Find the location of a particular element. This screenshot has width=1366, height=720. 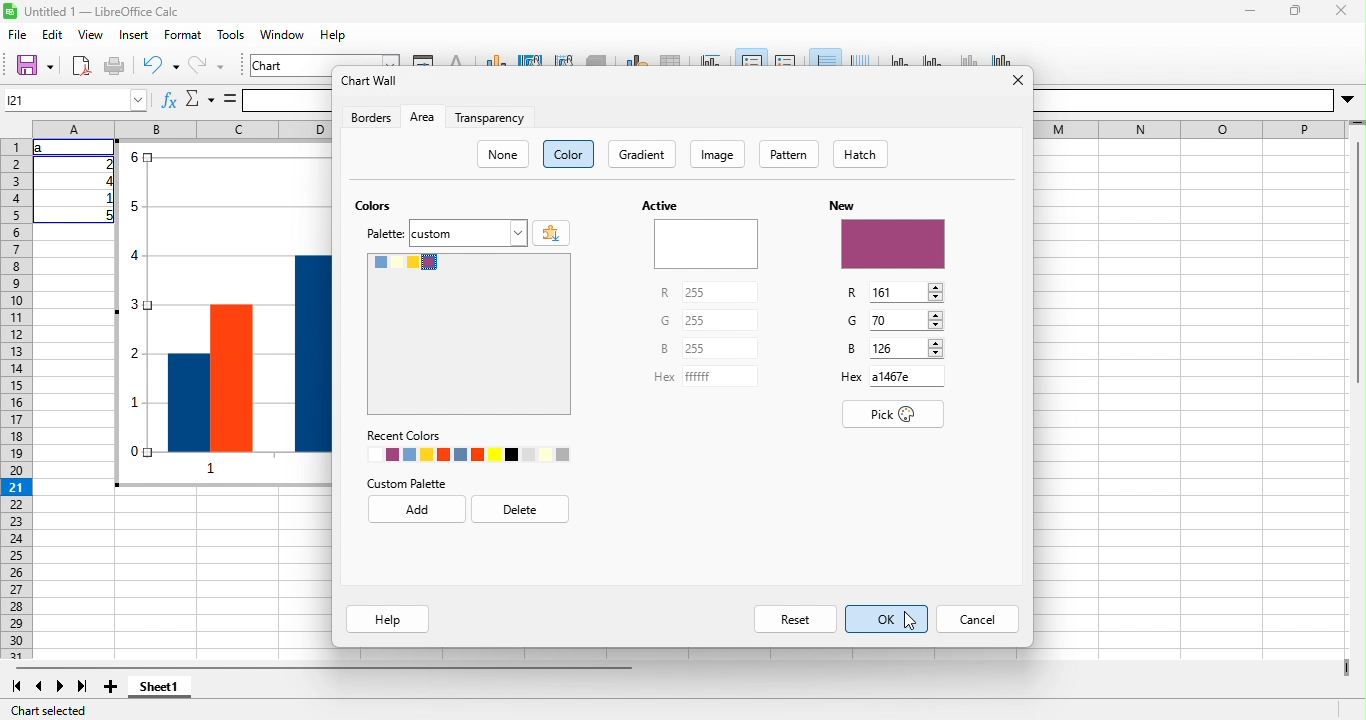

Input for Hex is located at coordinates (720, 376).